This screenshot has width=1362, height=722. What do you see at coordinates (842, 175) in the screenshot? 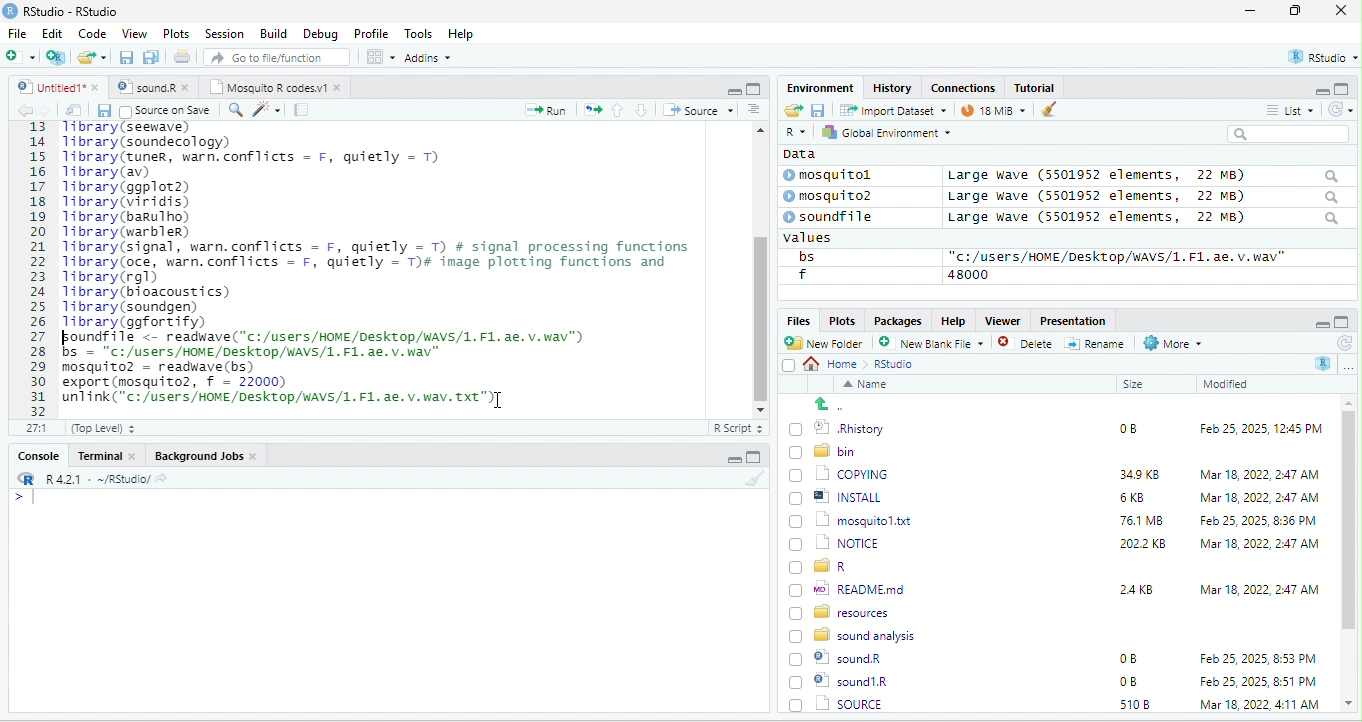
I see `© mosquitol` at bounding box center [842, 175].